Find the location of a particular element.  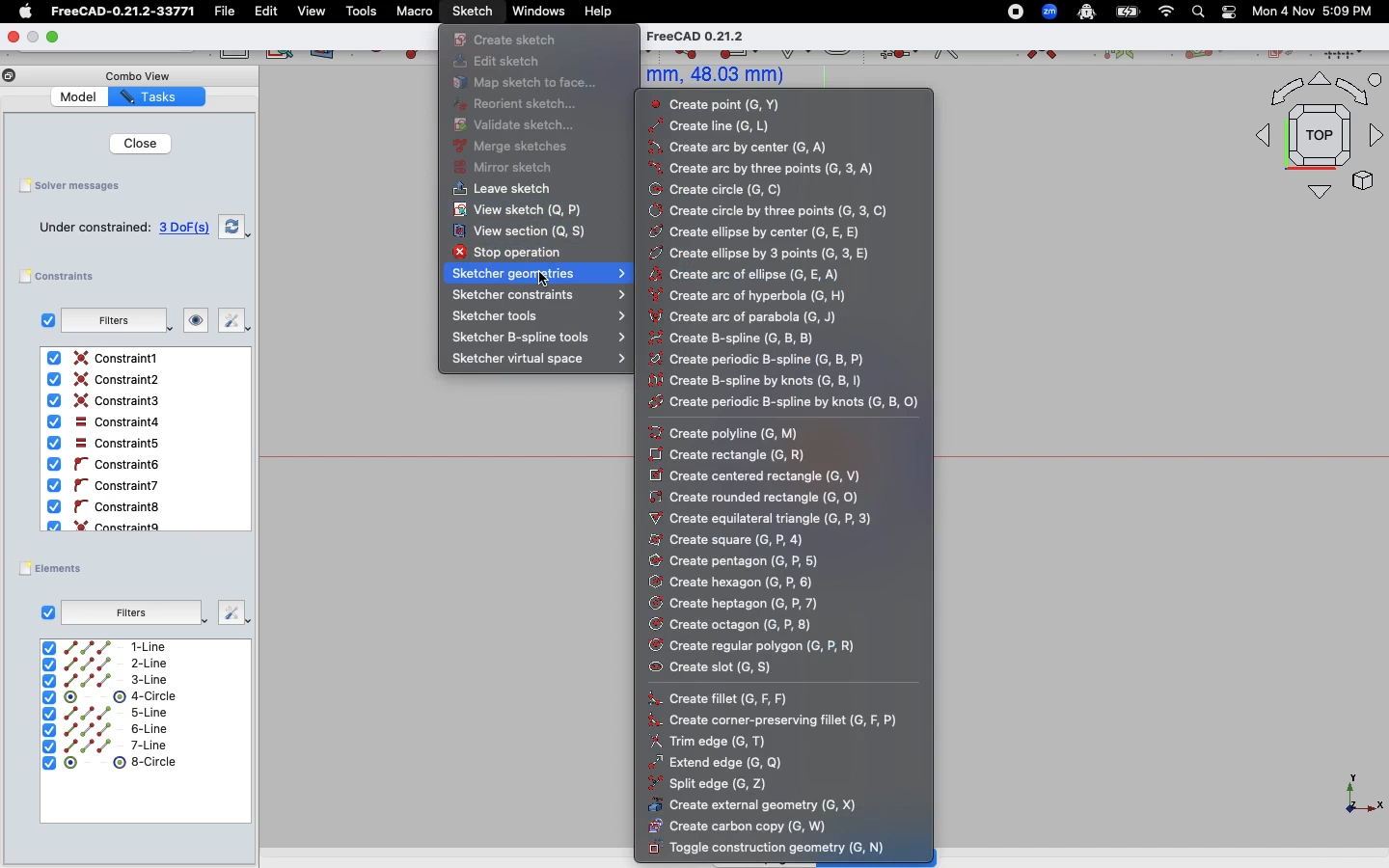

Sketcher B-spline tools is located at coordinates (542, 339).